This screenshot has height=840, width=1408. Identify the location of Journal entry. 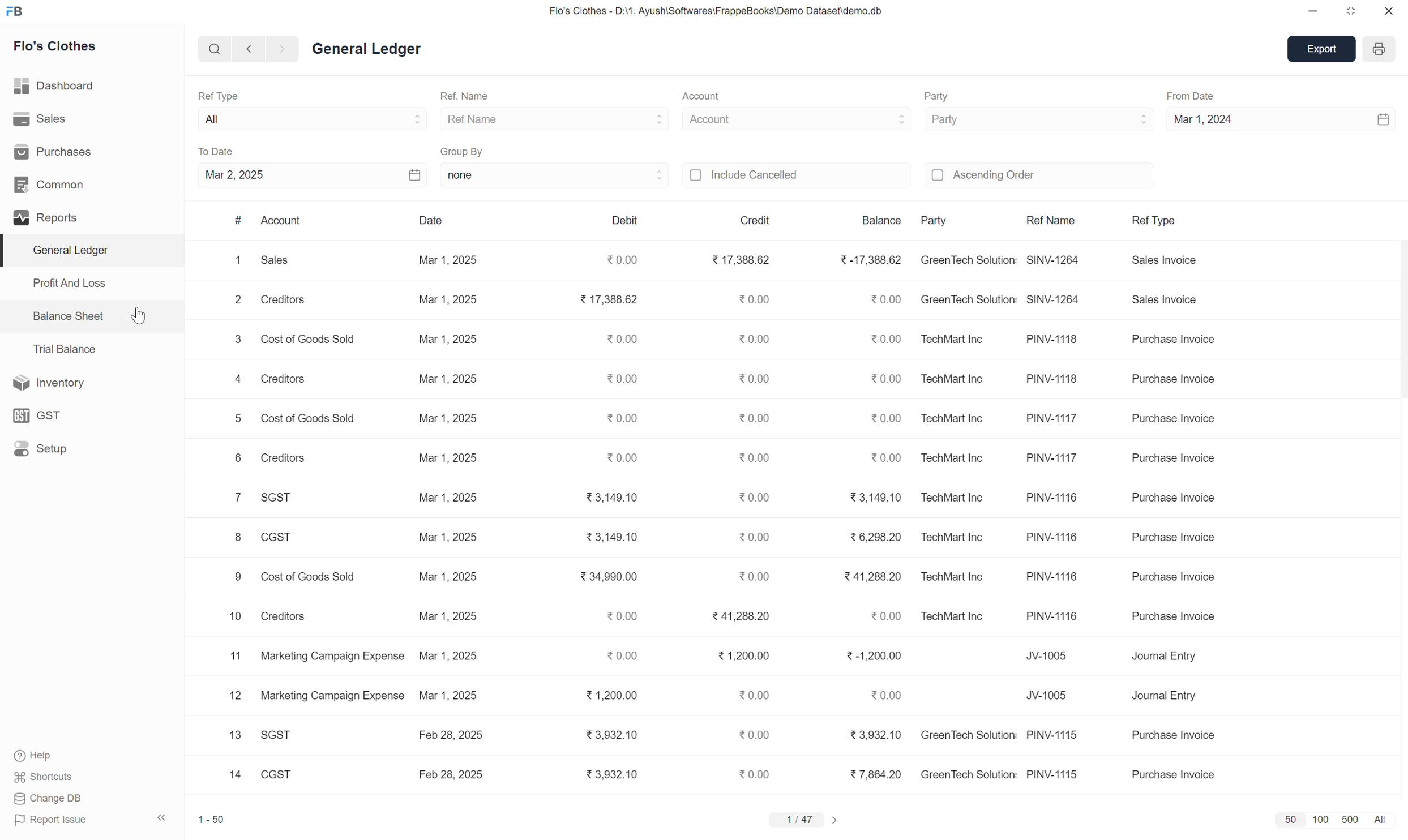
(1164, 658).